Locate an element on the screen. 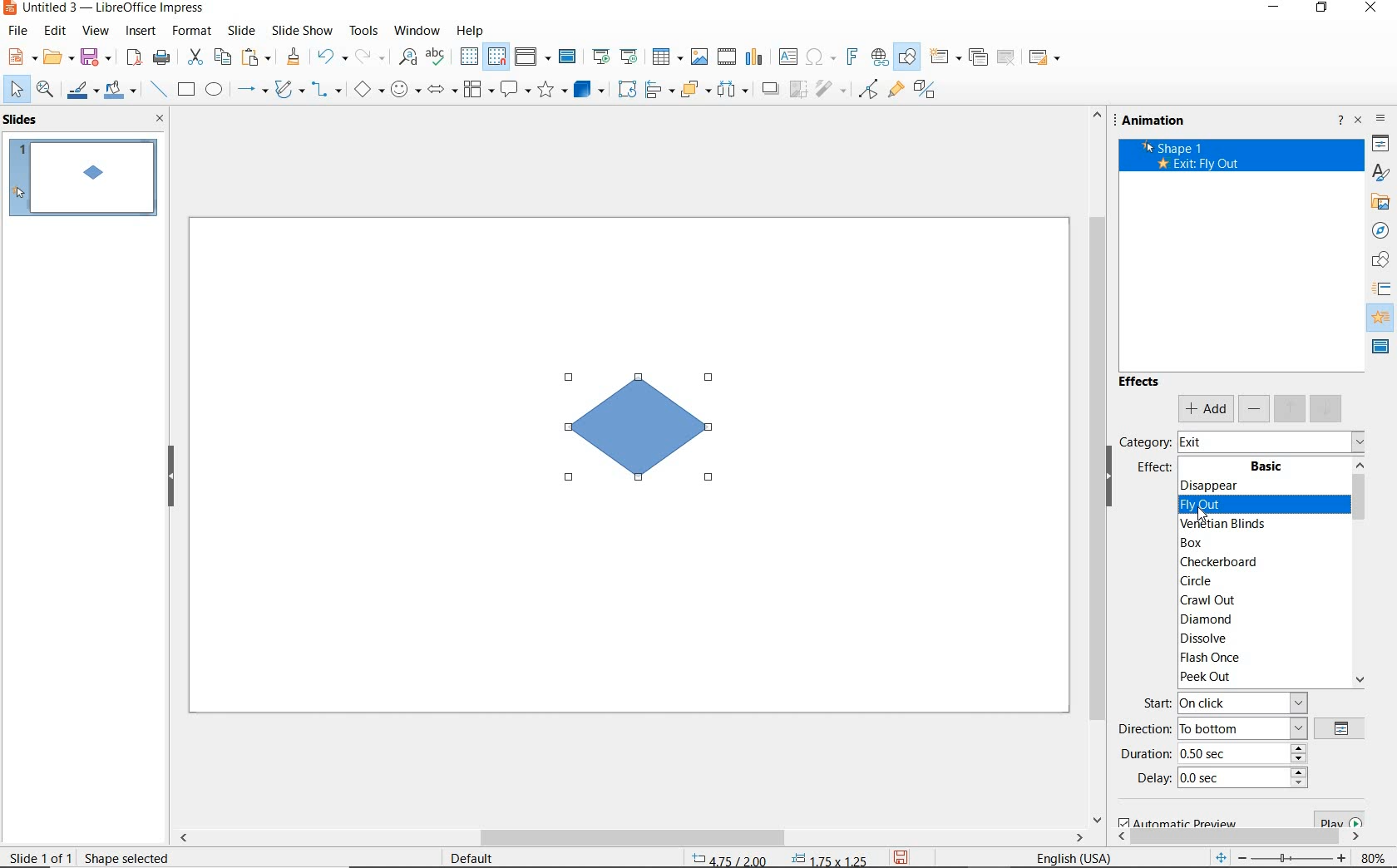  shape 1 - Exit: Fly Out is located at coordinates (1197, 159).